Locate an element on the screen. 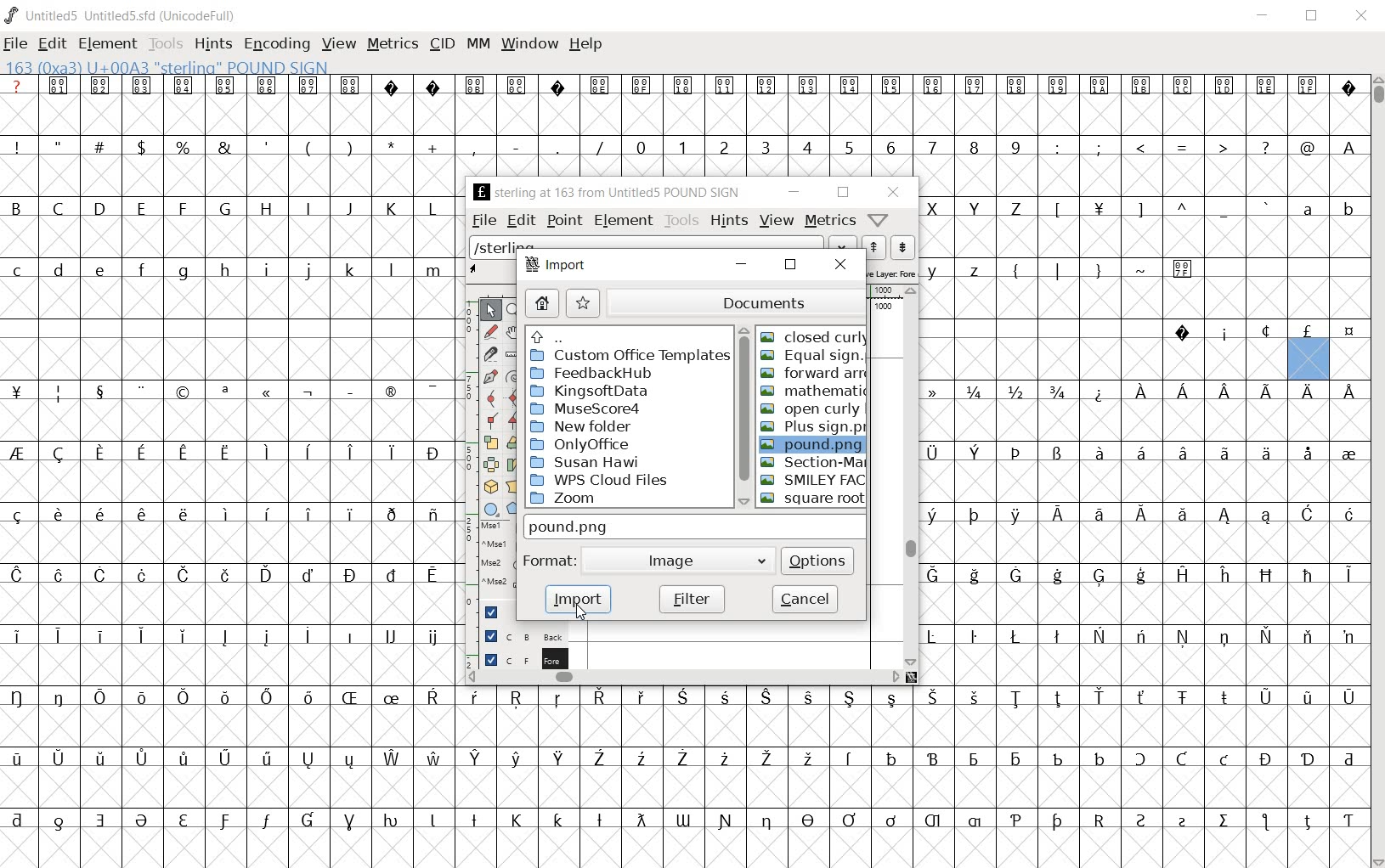 Image resolution: width=1385 pixels, height=868 pixels. background layer is located at coordinates (522, 635).